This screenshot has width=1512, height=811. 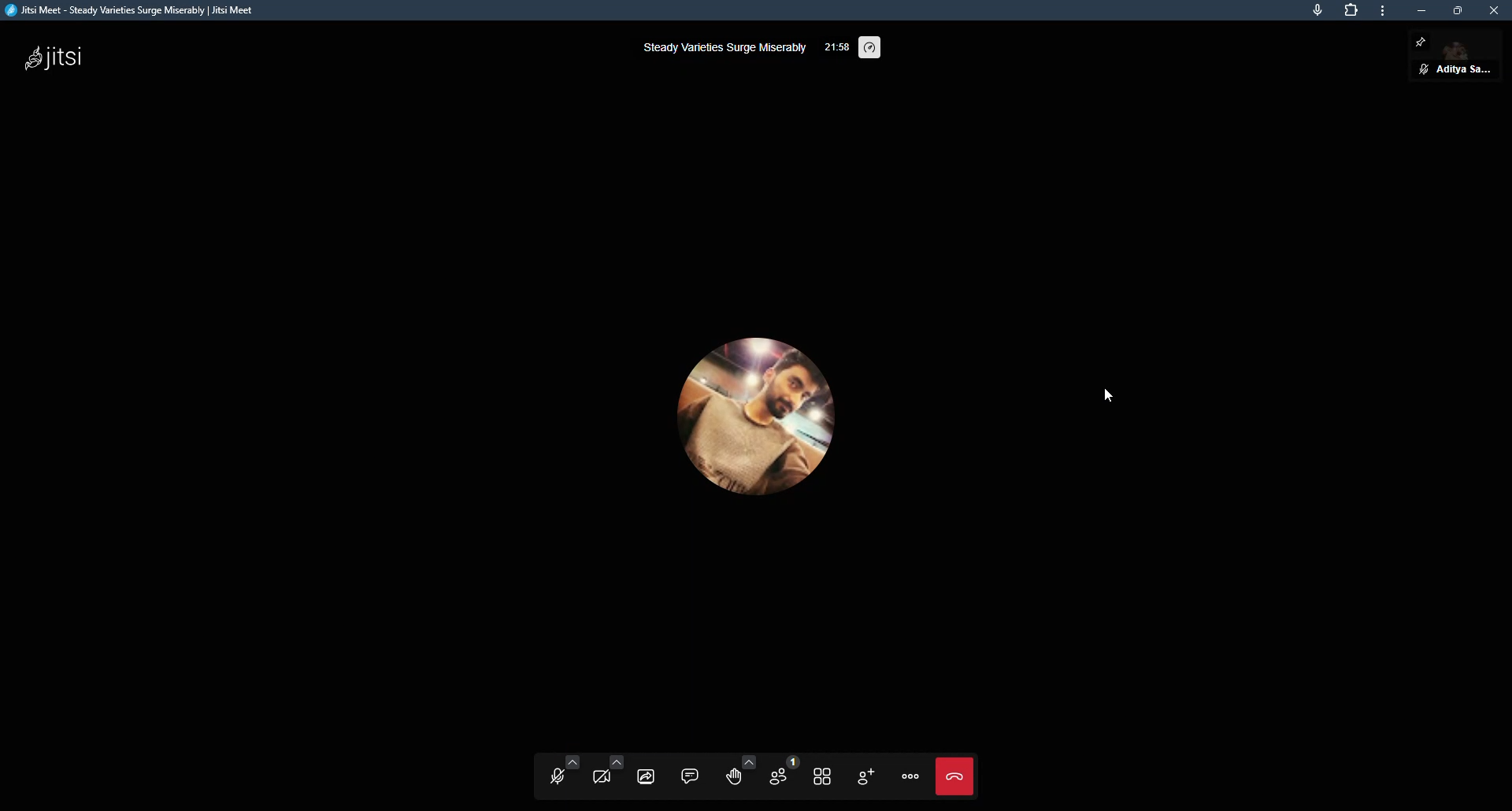 What do you see at coordinates (910, 777) in the screenshot?
I see `more actions` at bounding box center [910, 777].